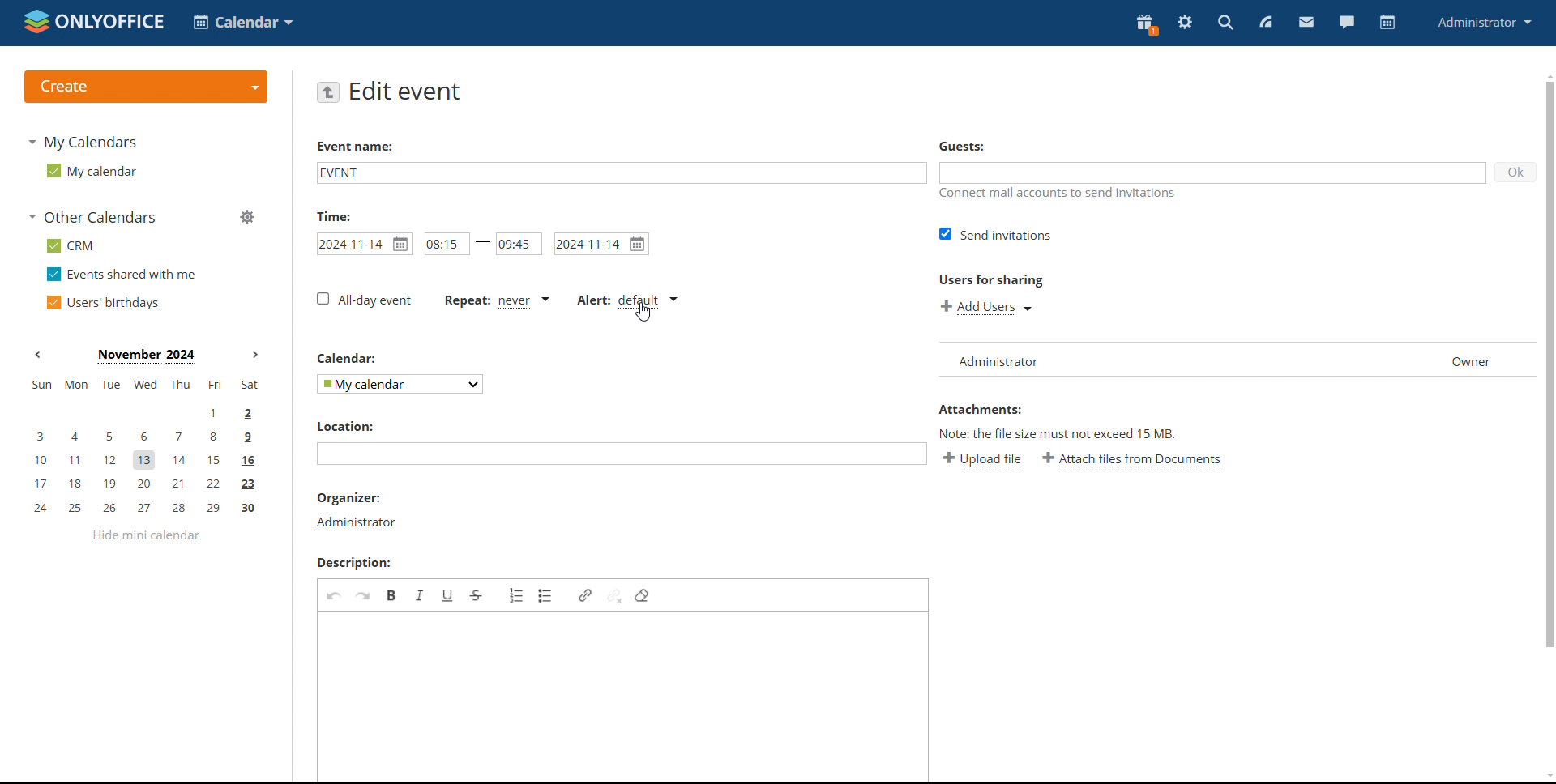 This screenshot has width=1556, height=784. What do you see at coordinates (364, 594) in the screenshot?
I see `redo` at bounding box center [364, 594].